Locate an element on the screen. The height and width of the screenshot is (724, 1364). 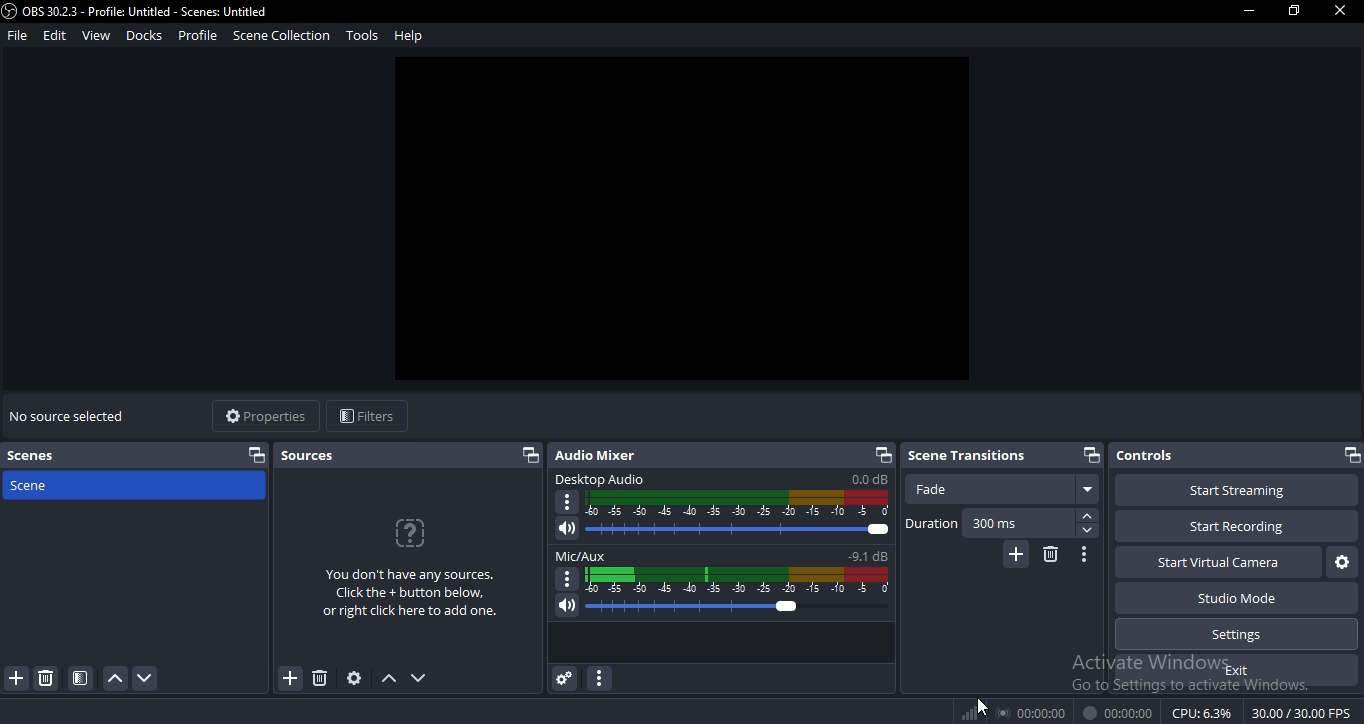
start streaming is located at coordinates (1225, 488).